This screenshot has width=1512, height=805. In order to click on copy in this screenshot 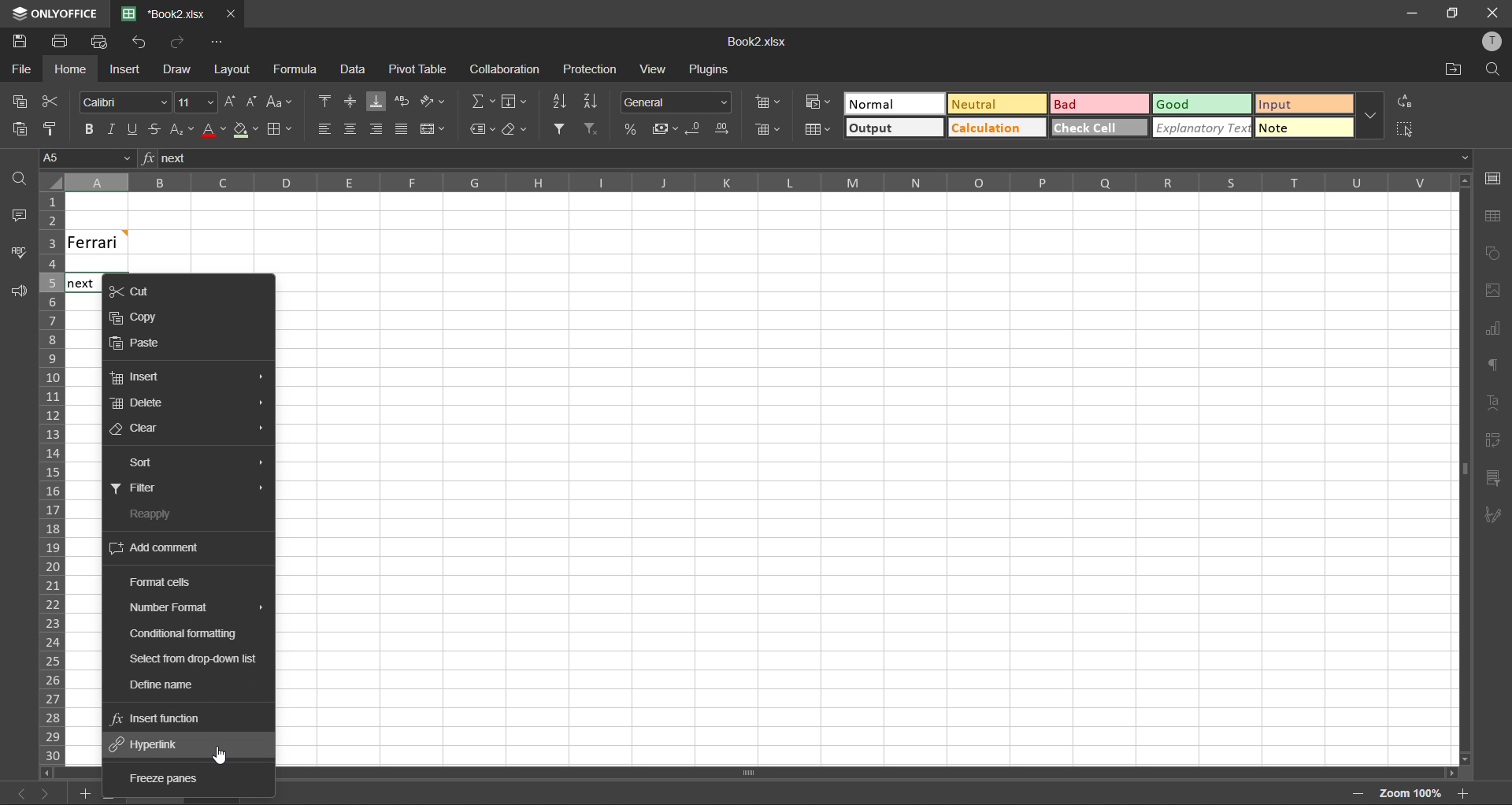, I will do `click(15, 103)`.